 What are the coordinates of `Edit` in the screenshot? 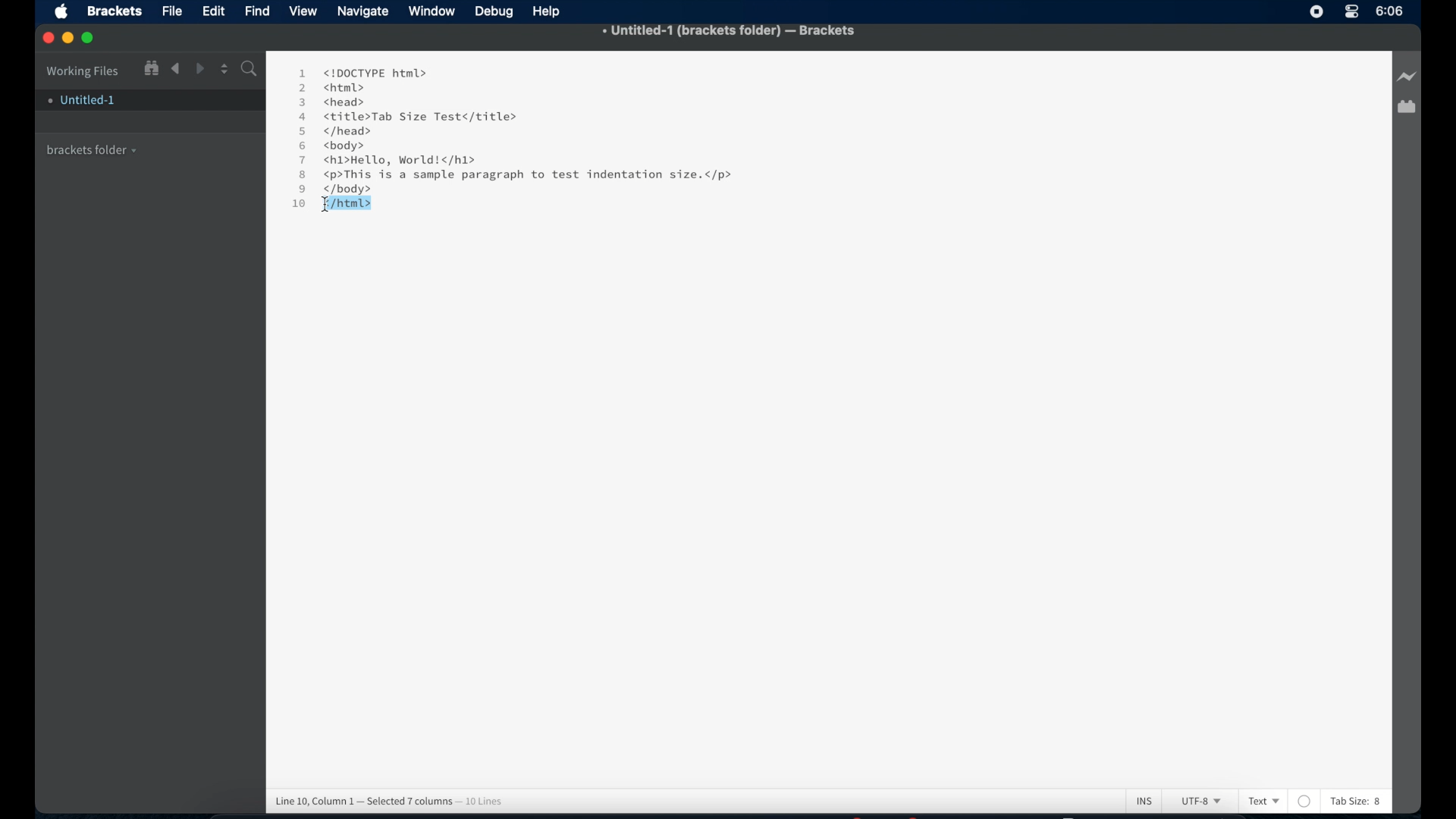 It's located at (216, 11).